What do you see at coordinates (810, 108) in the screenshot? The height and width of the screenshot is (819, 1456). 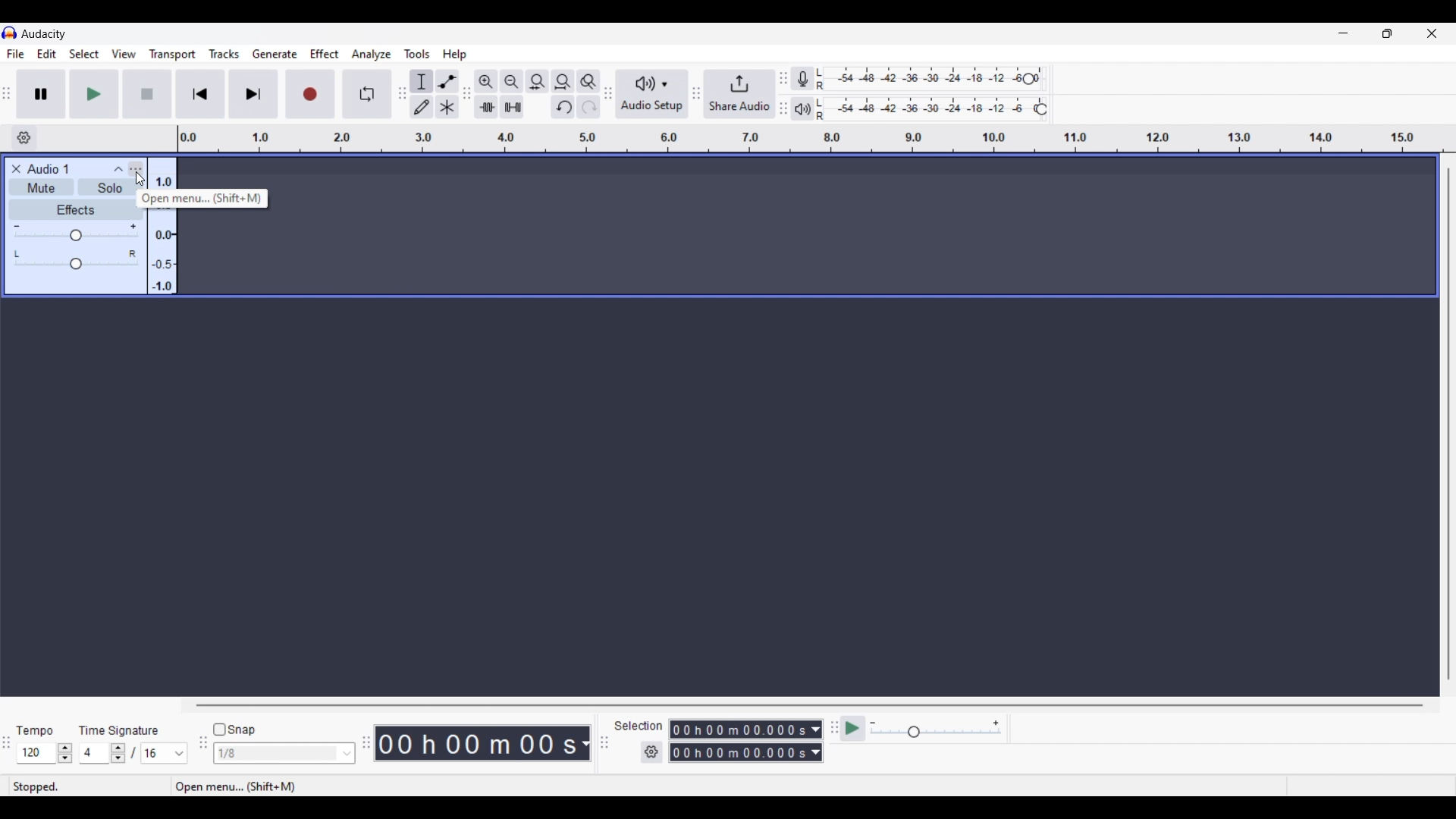 I see `Playback meter` at bounding box center [810, 108].